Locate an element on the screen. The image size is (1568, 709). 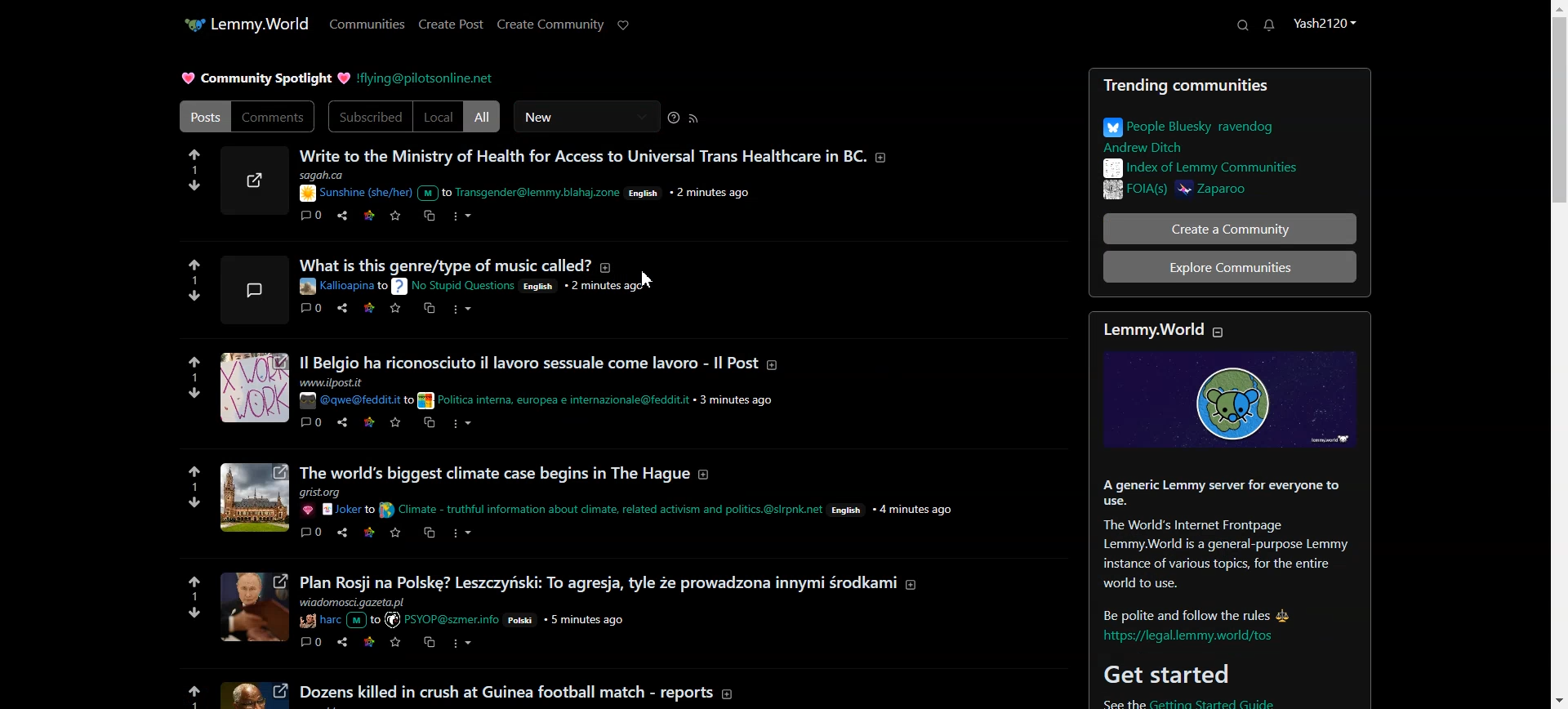
About is located at coordinates (887, 154).